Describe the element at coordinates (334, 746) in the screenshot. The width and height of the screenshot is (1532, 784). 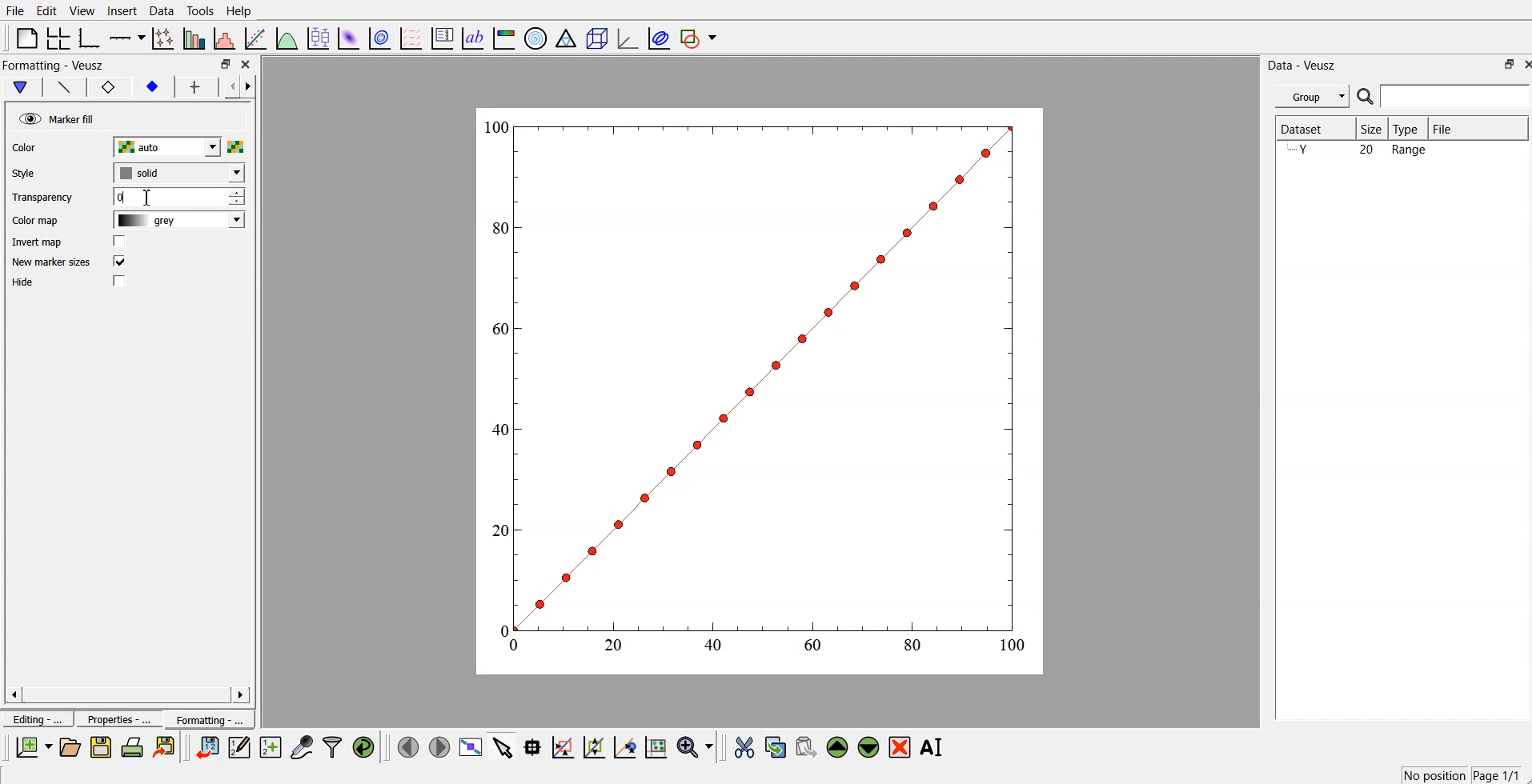
I see `Filter data` at that location.